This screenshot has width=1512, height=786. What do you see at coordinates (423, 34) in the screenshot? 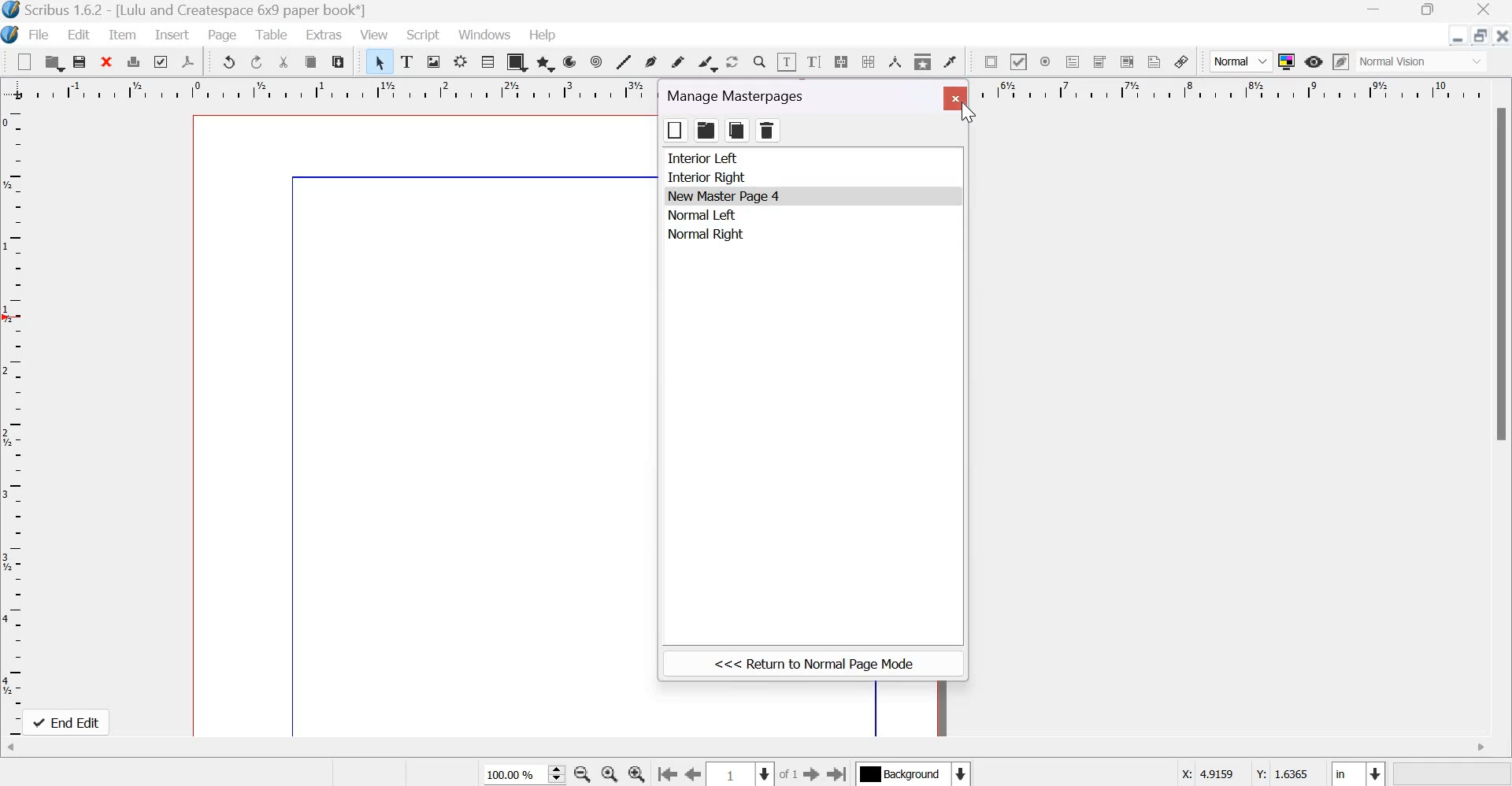
I see `Script` at bounding box center [423, 34].